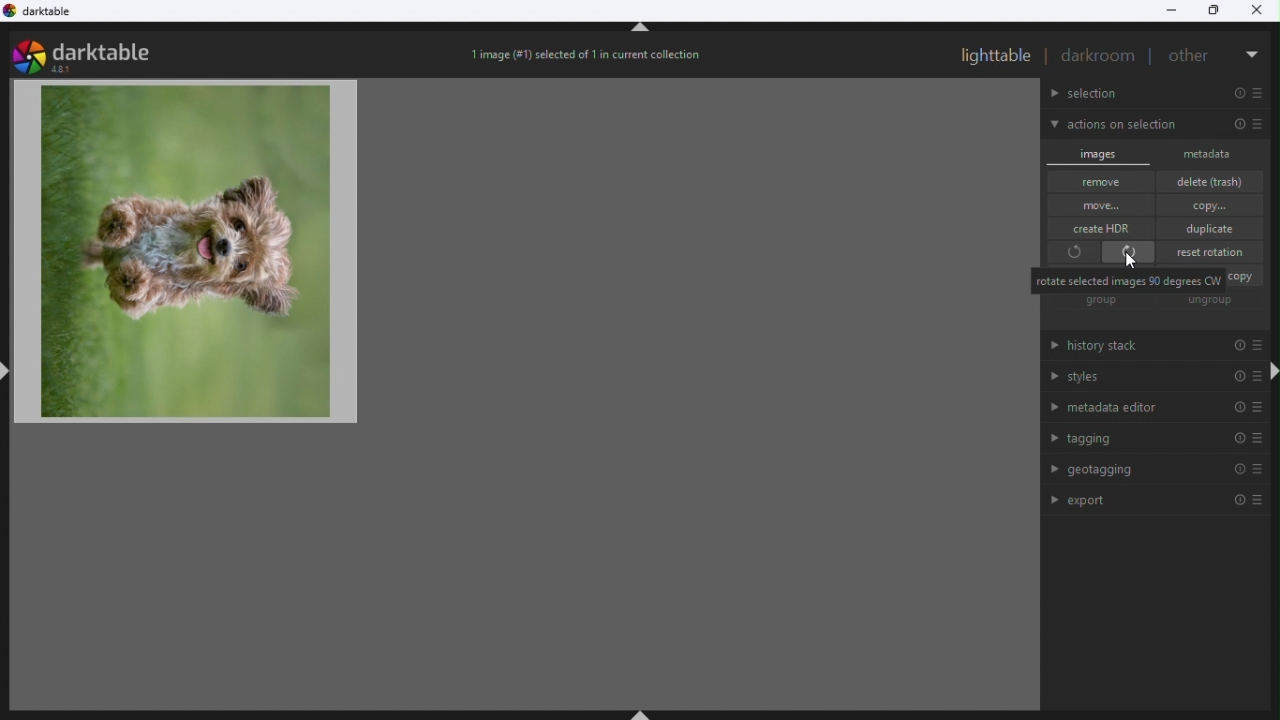 The width and height of the screenshot is (1280, 720). I want to click on cursor, so click(1134, 265).